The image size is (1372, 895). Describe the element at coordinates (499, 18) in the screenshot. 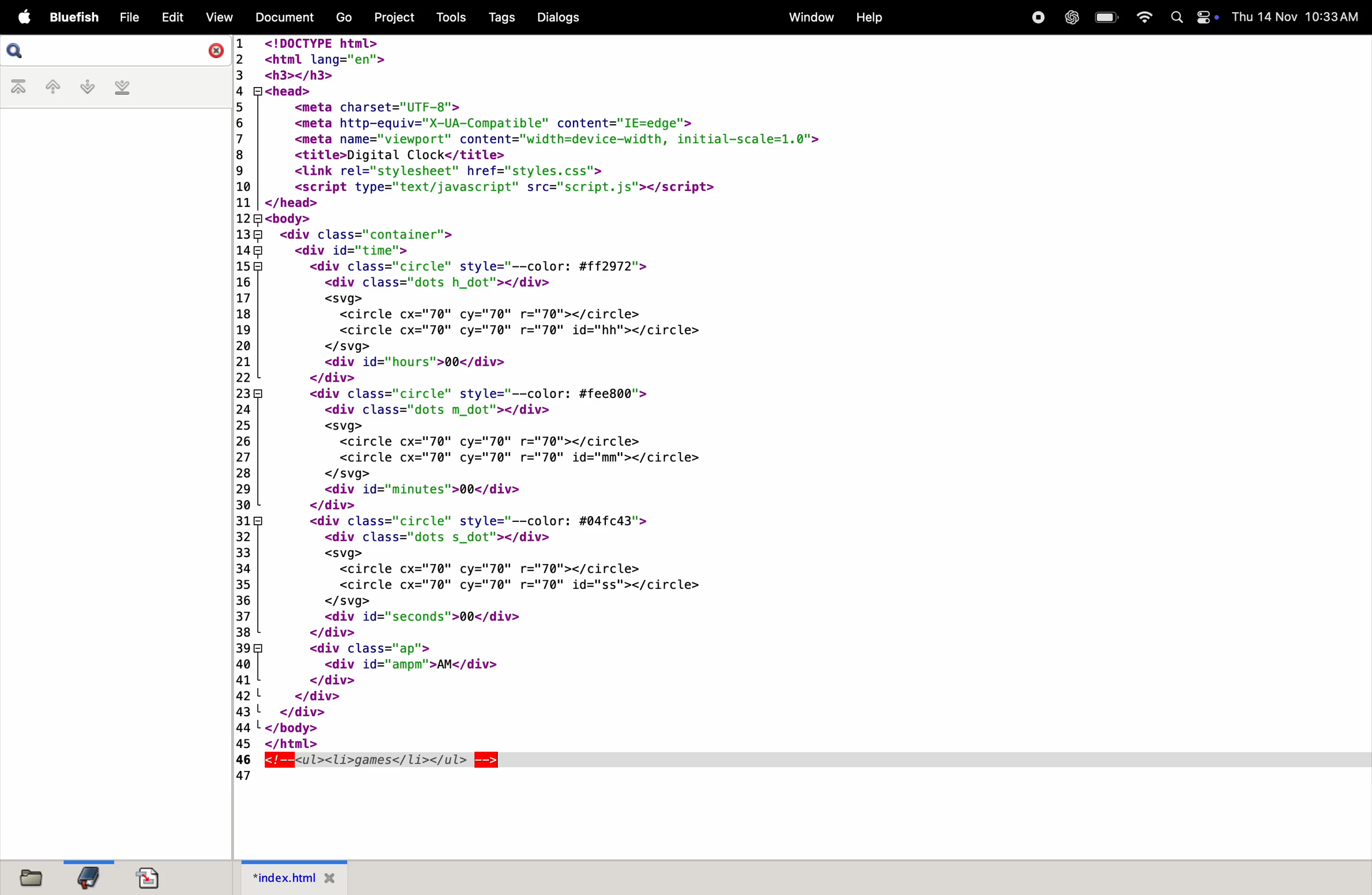

I see `Tags` at that location.